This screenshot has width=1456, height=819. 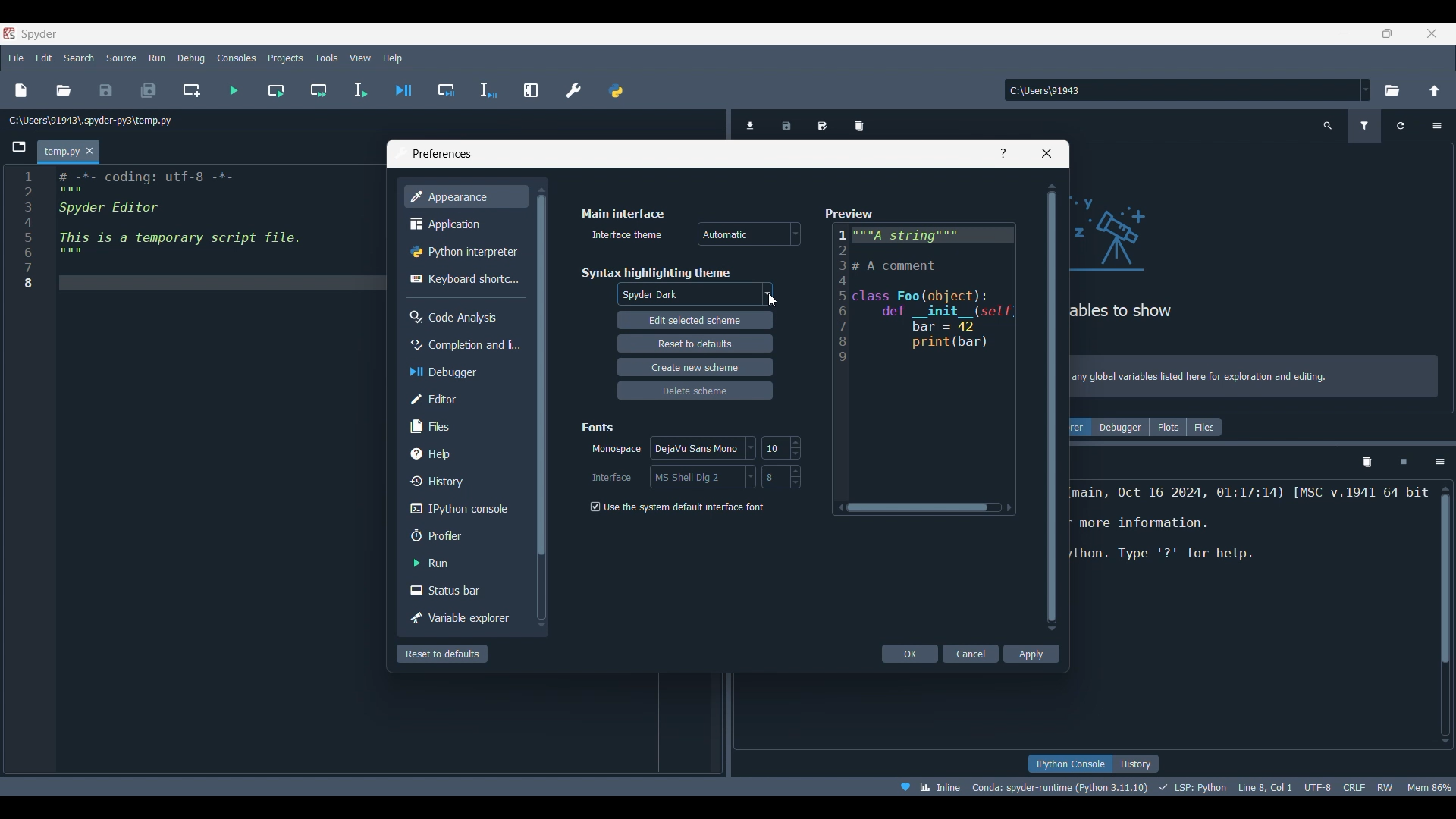 I want to click on Help, so click(x=463, y=453).